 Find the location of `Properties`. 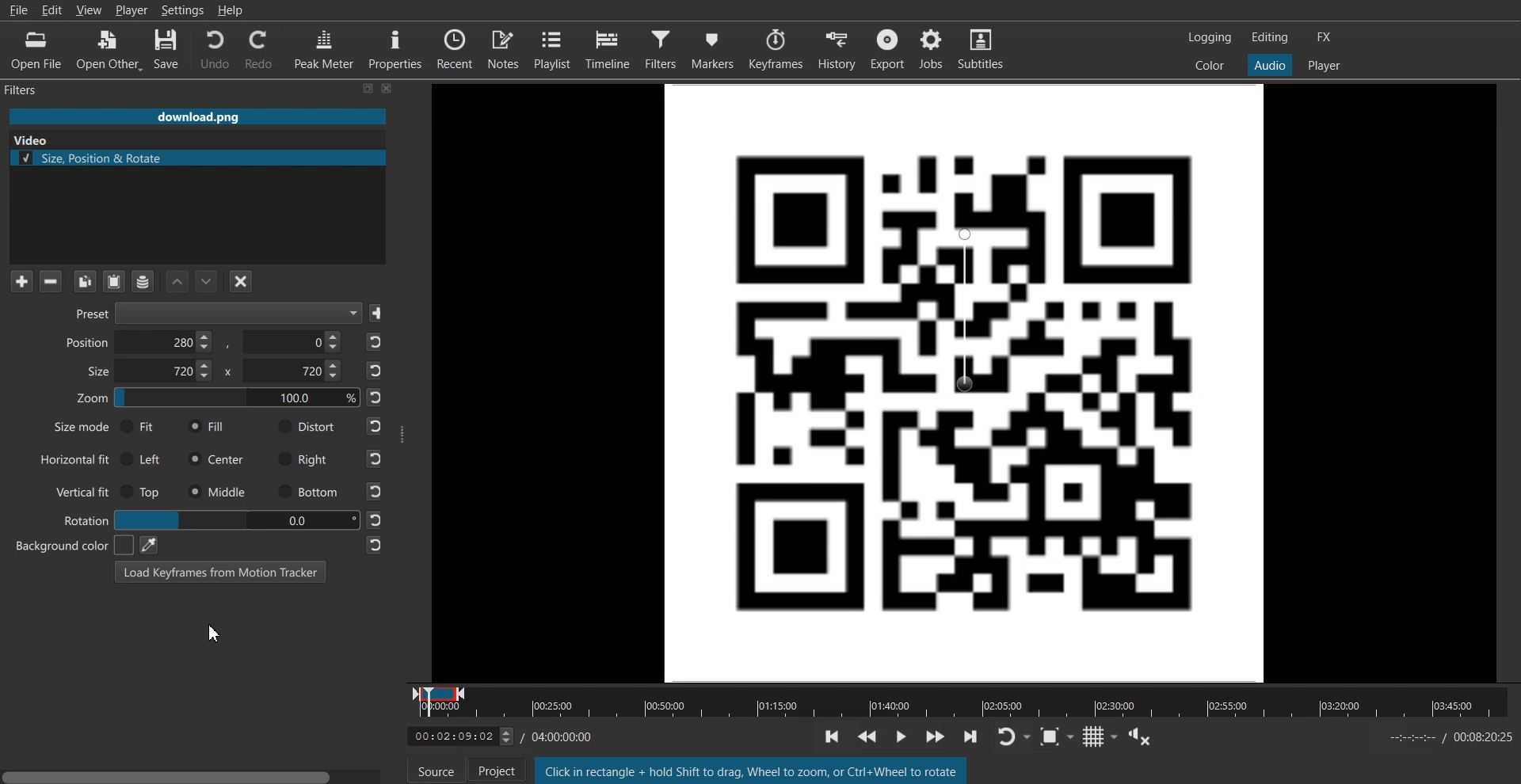

Properties is located at coordinates (395, 49).